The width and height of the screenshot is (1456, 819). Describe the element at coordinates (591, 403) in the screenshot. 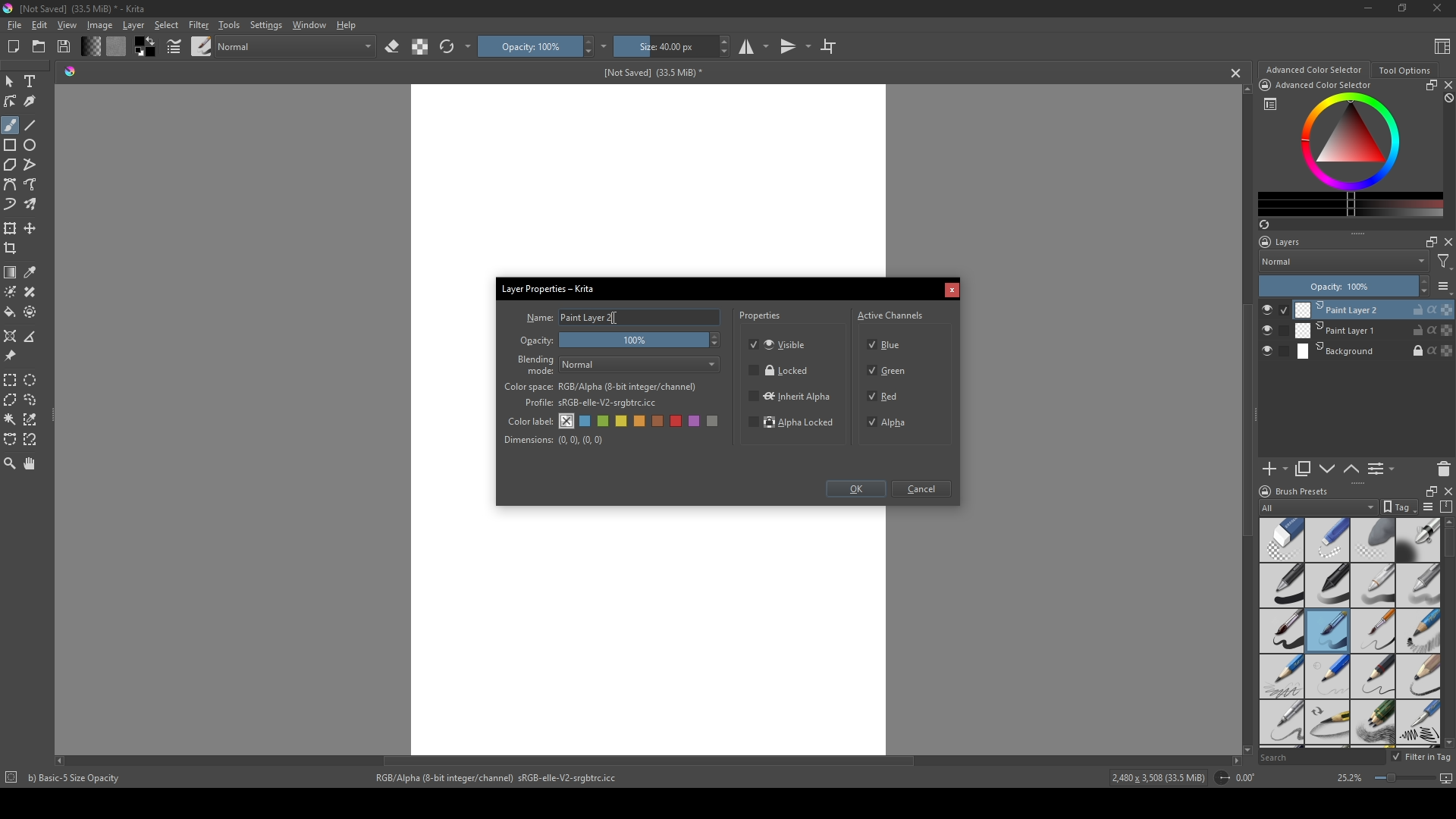

I see `Profile: sRGB-elle-V2-srgbtrc.icc` at that location.